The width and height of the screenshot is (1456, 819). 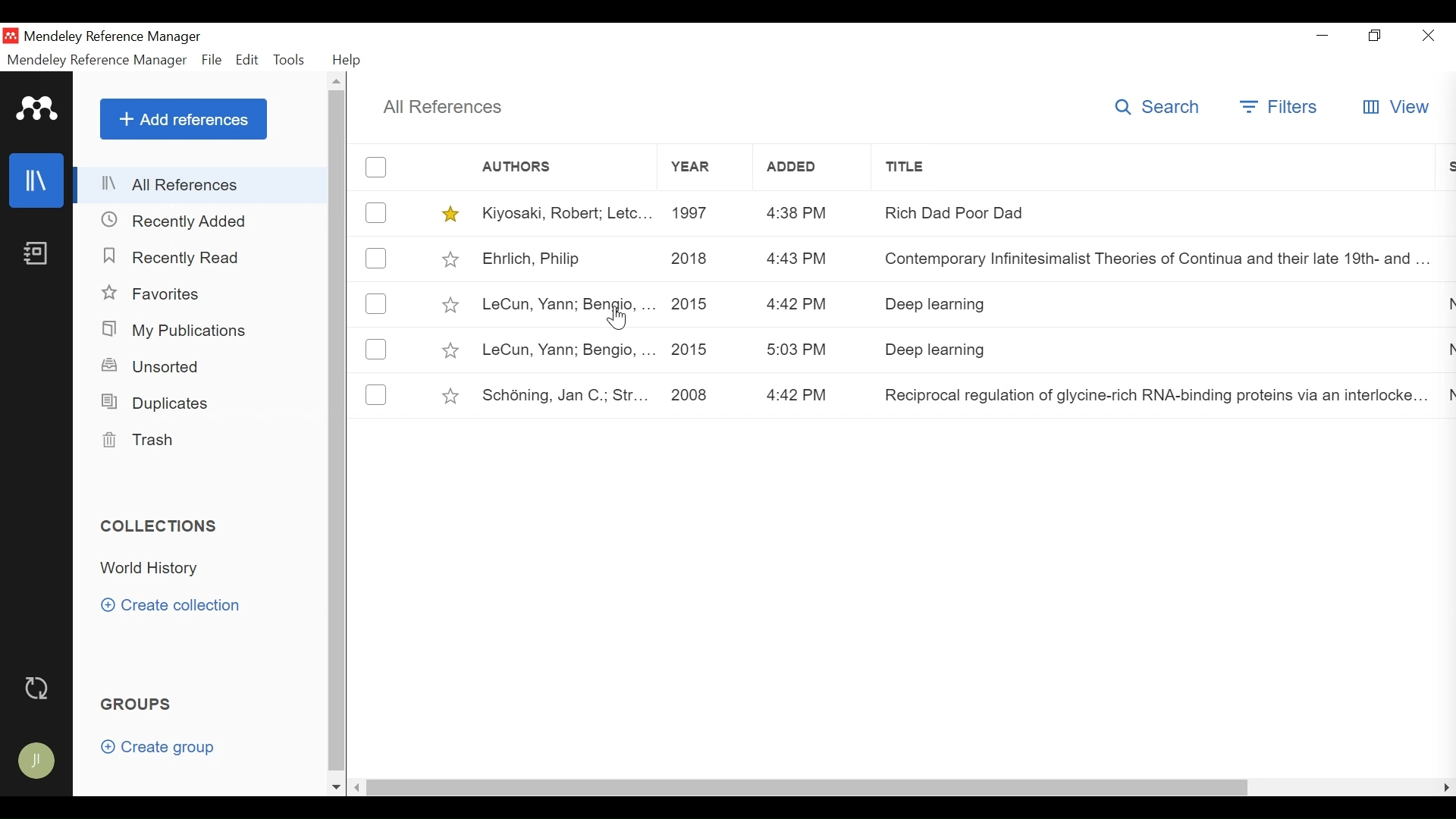 What do you see at coordinates (358, 788) in the screenshot?
I see `Scroll Right` at bounding box center [358, 788].